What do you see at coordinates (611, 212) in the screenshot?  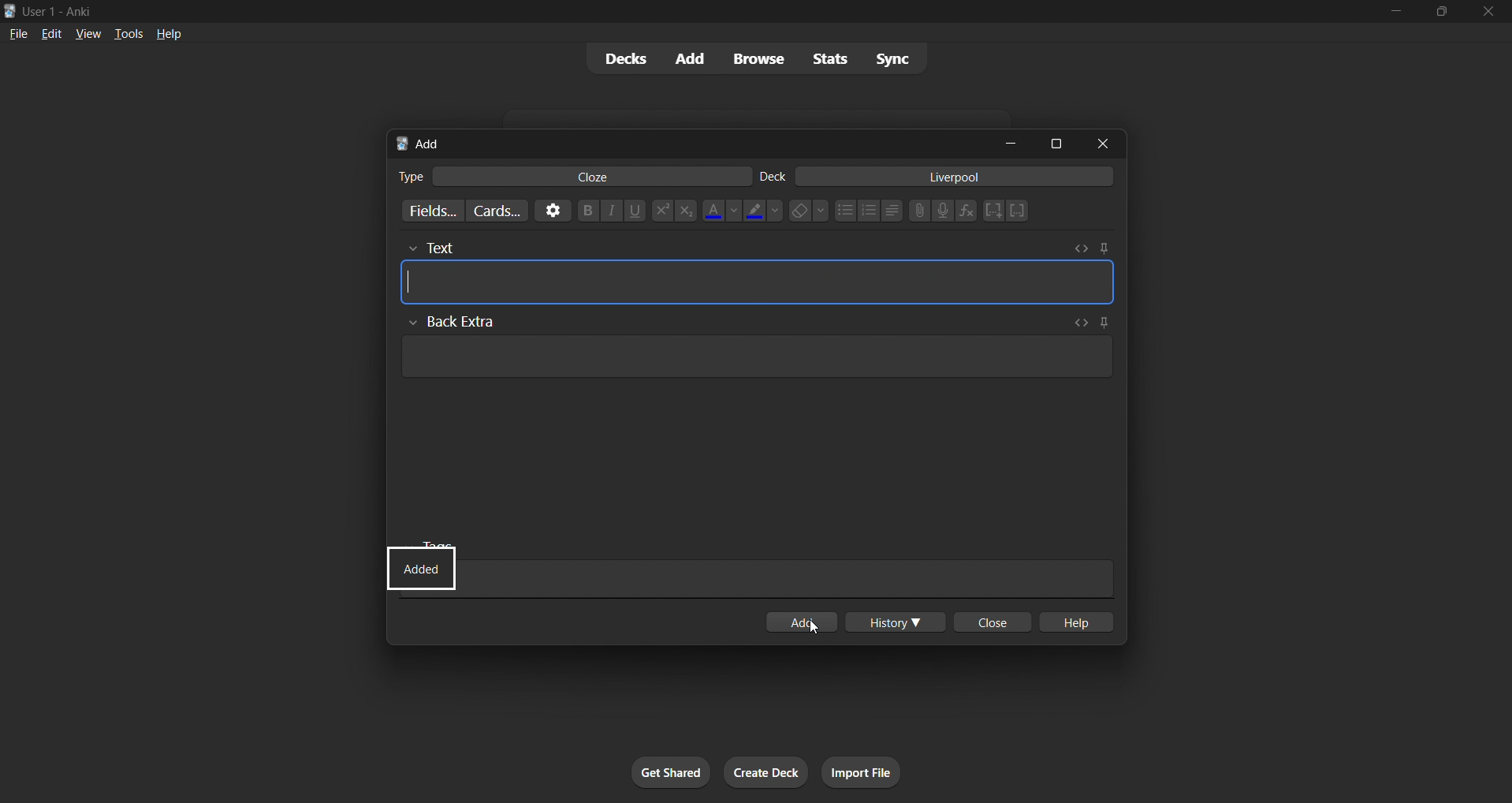 I see `italic` at bounding box center [611, 212].